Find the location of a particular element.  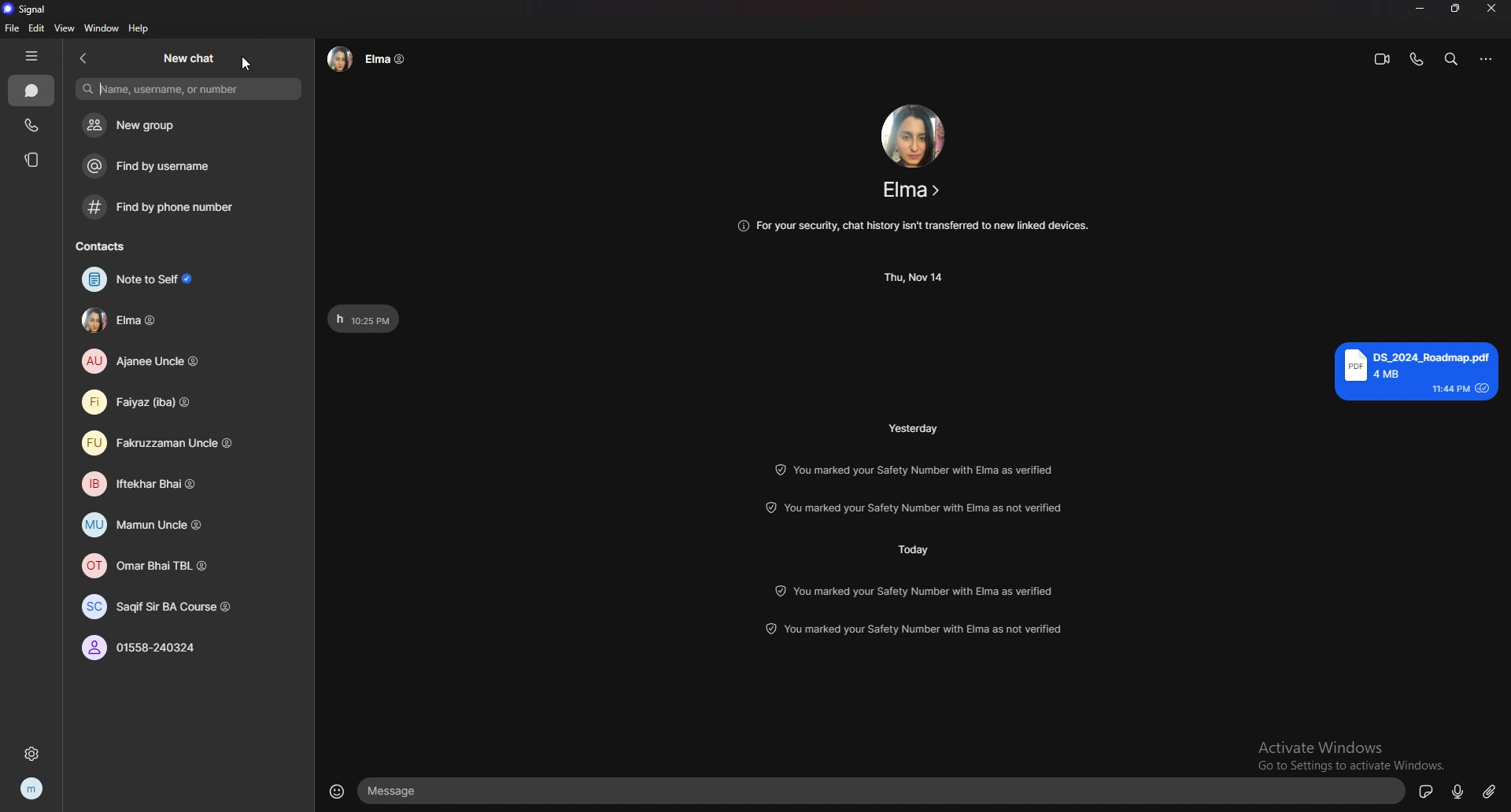

find by phone number is located at coordinates (176, 207).